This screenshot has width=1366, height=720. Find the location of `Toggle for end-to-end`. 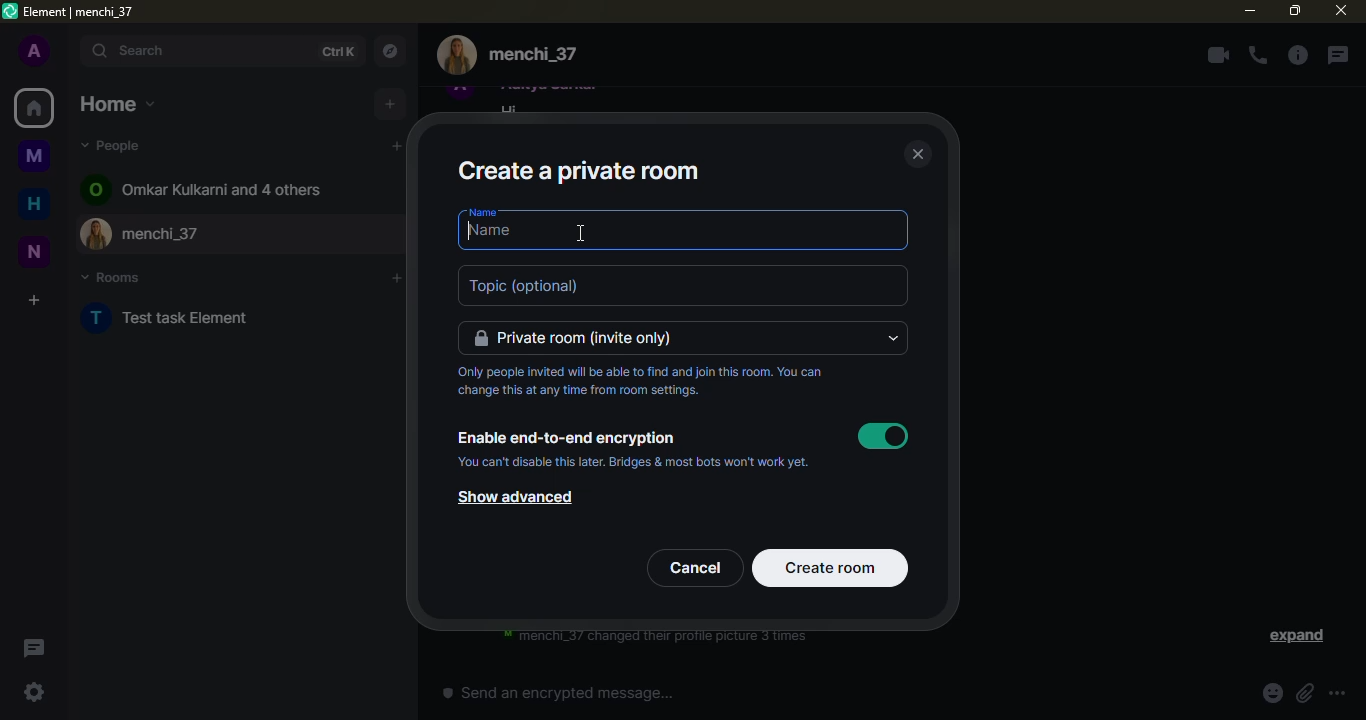

Toggle for end-to-end is located at coordinates (883, 436).